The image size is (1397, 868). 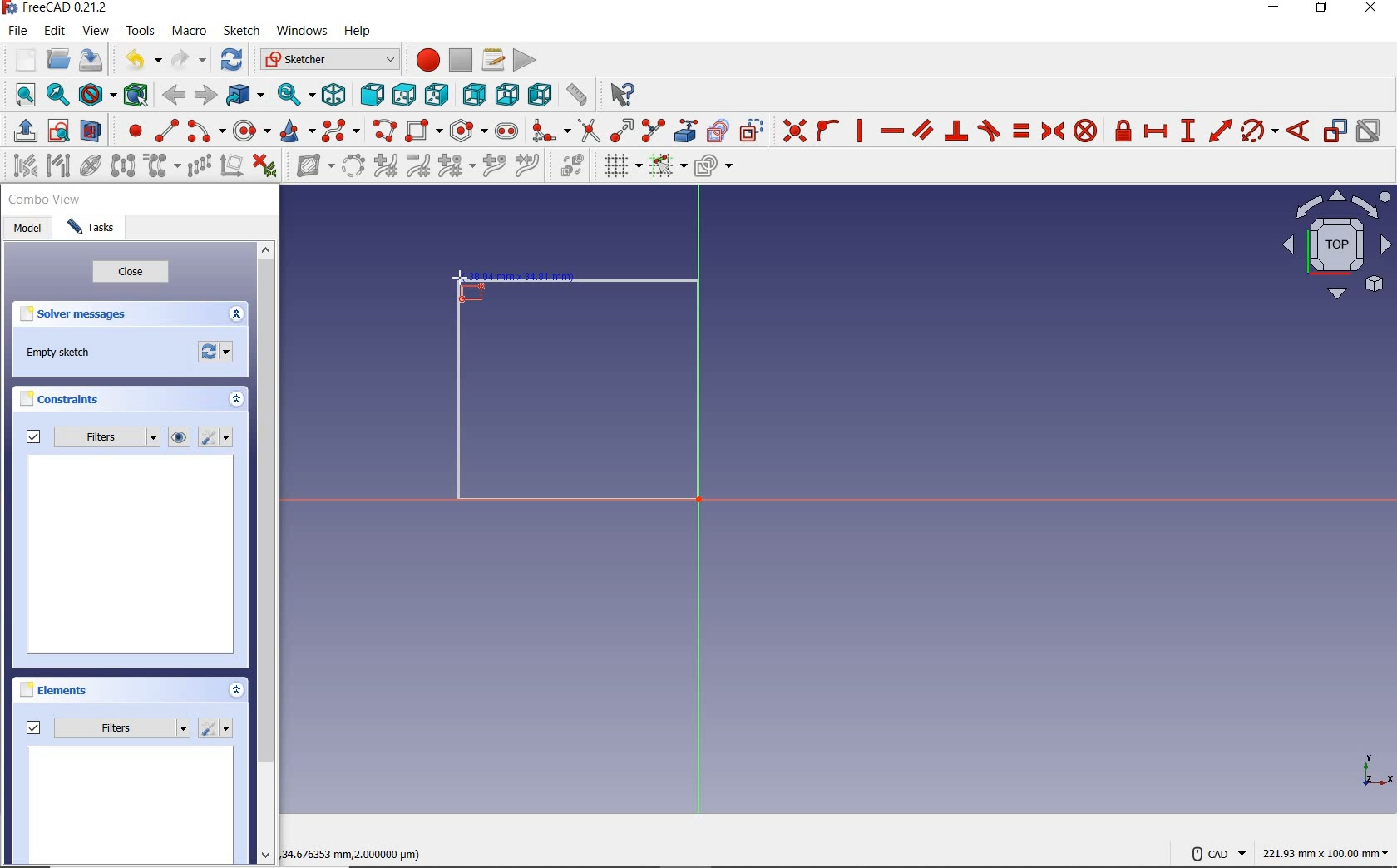 What do you see at coordinates (45, 202) in the screenshot?
I see `combo view` at bounding box center [45, 202].